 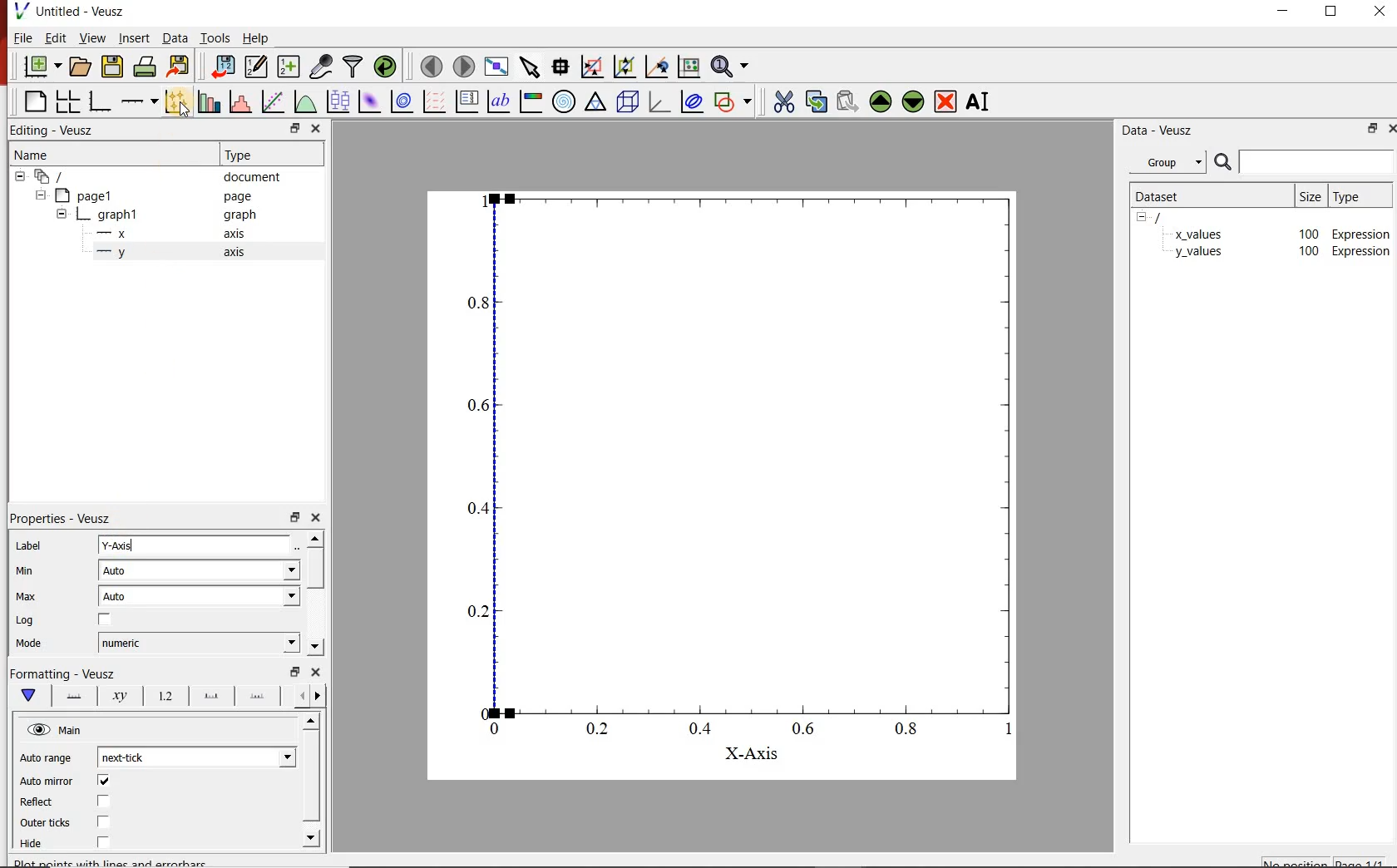 I want to click on size , so click(x=1311, y=196).